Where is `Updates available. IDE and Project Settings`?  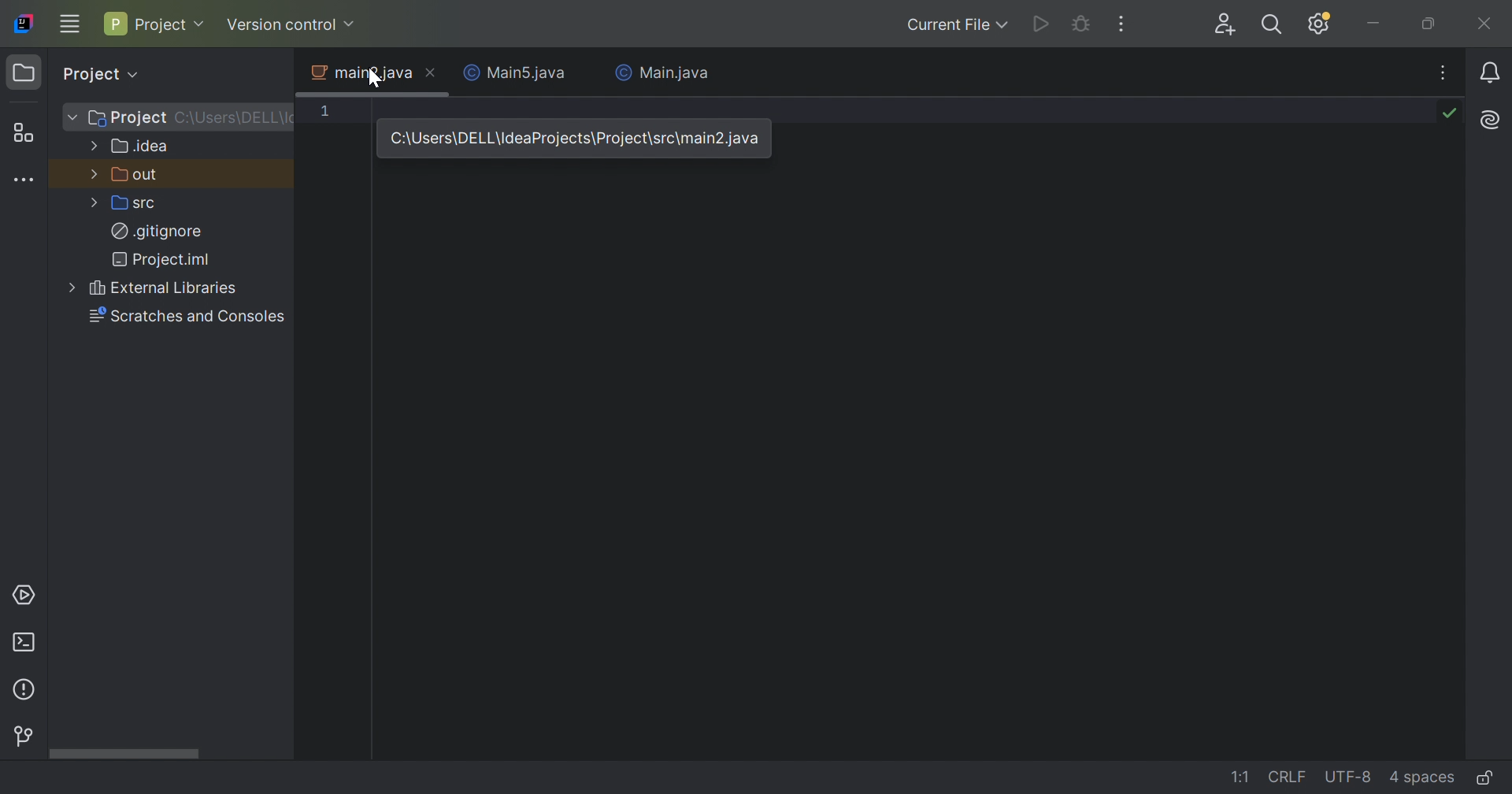 Updates available. IDE and Project Settings is located at coordinates (1321, 24).